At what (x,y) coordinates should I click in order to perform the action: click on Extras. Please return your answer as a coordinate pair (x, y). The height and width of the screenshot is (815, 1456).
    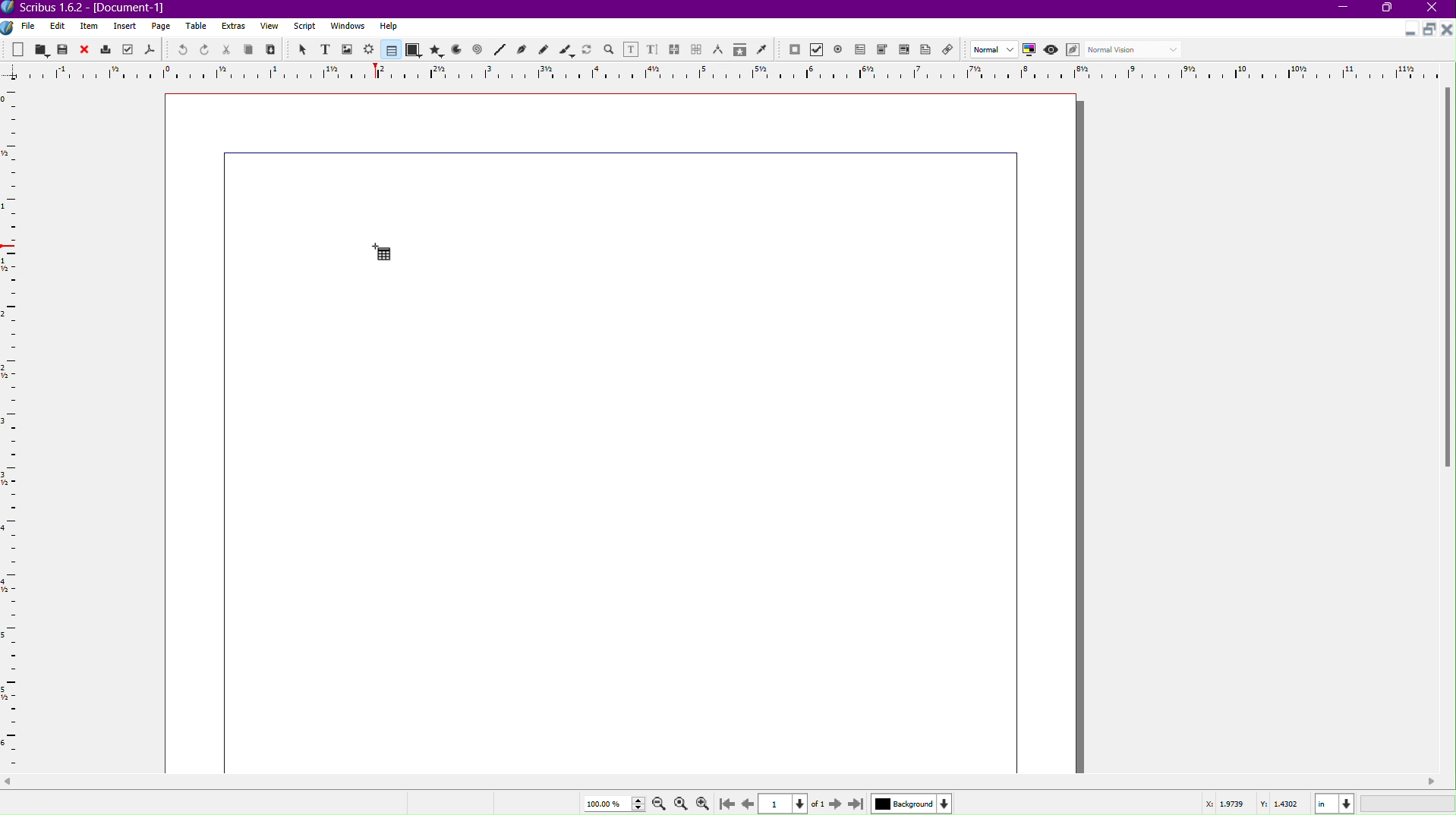
    Looking at the image, I should click on (235, 27).